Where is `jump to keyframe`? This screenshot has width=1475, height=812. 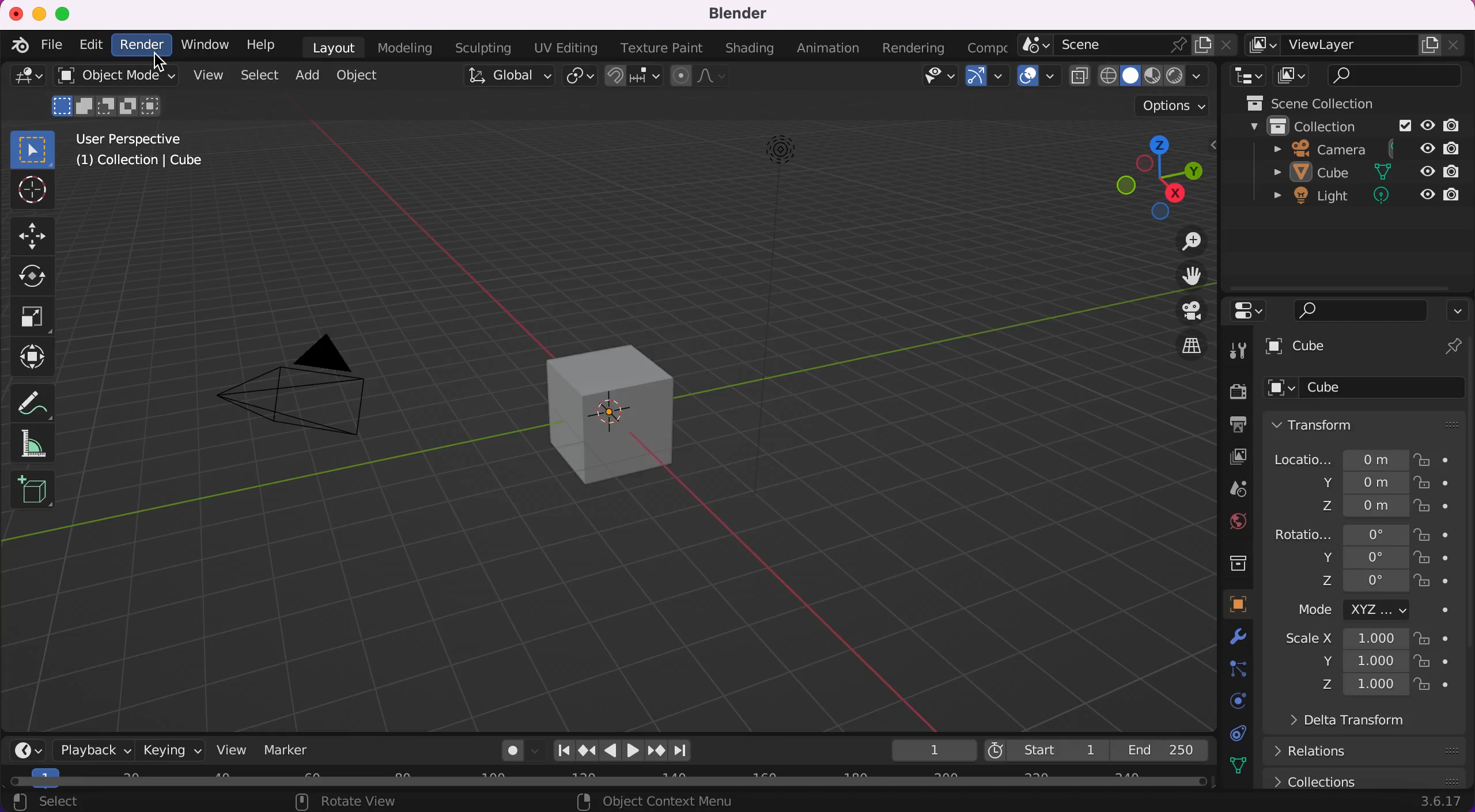
jump to keyframe is located at coordinates (657, 752).